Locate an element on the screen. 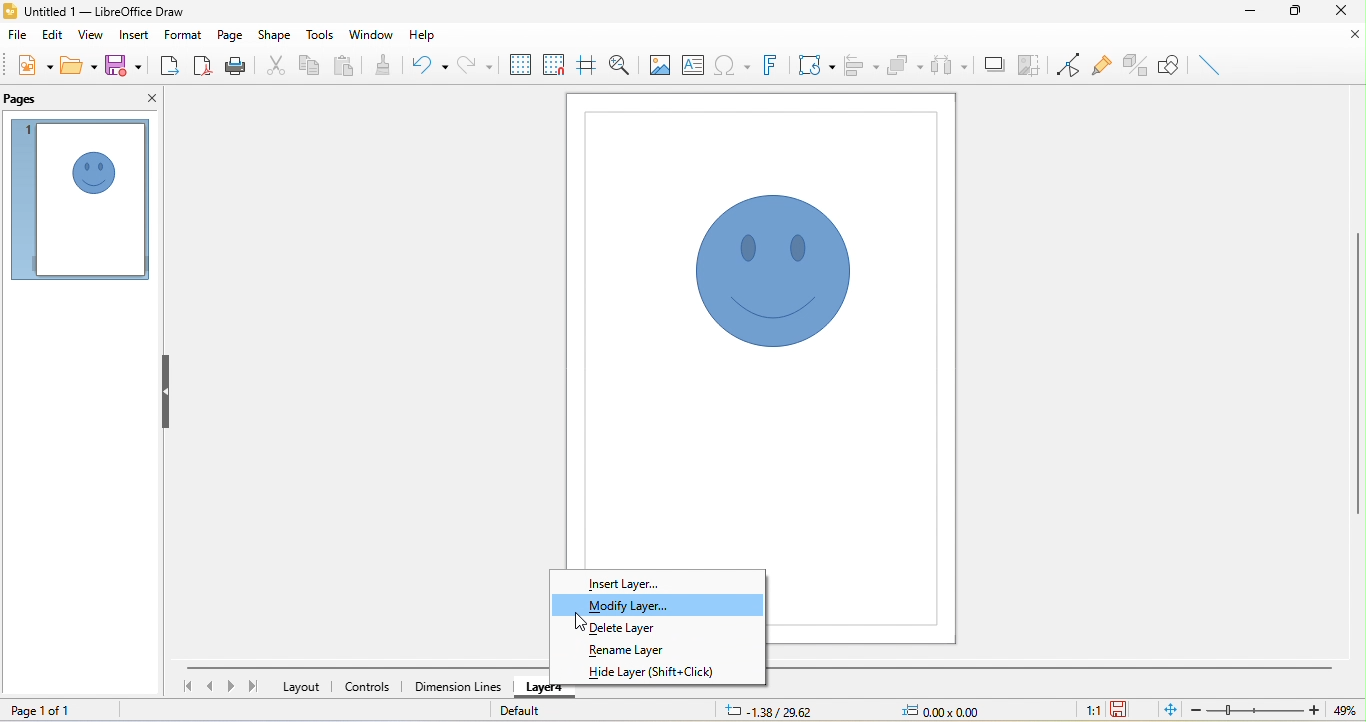  redo is located at coordinates (479, 63).